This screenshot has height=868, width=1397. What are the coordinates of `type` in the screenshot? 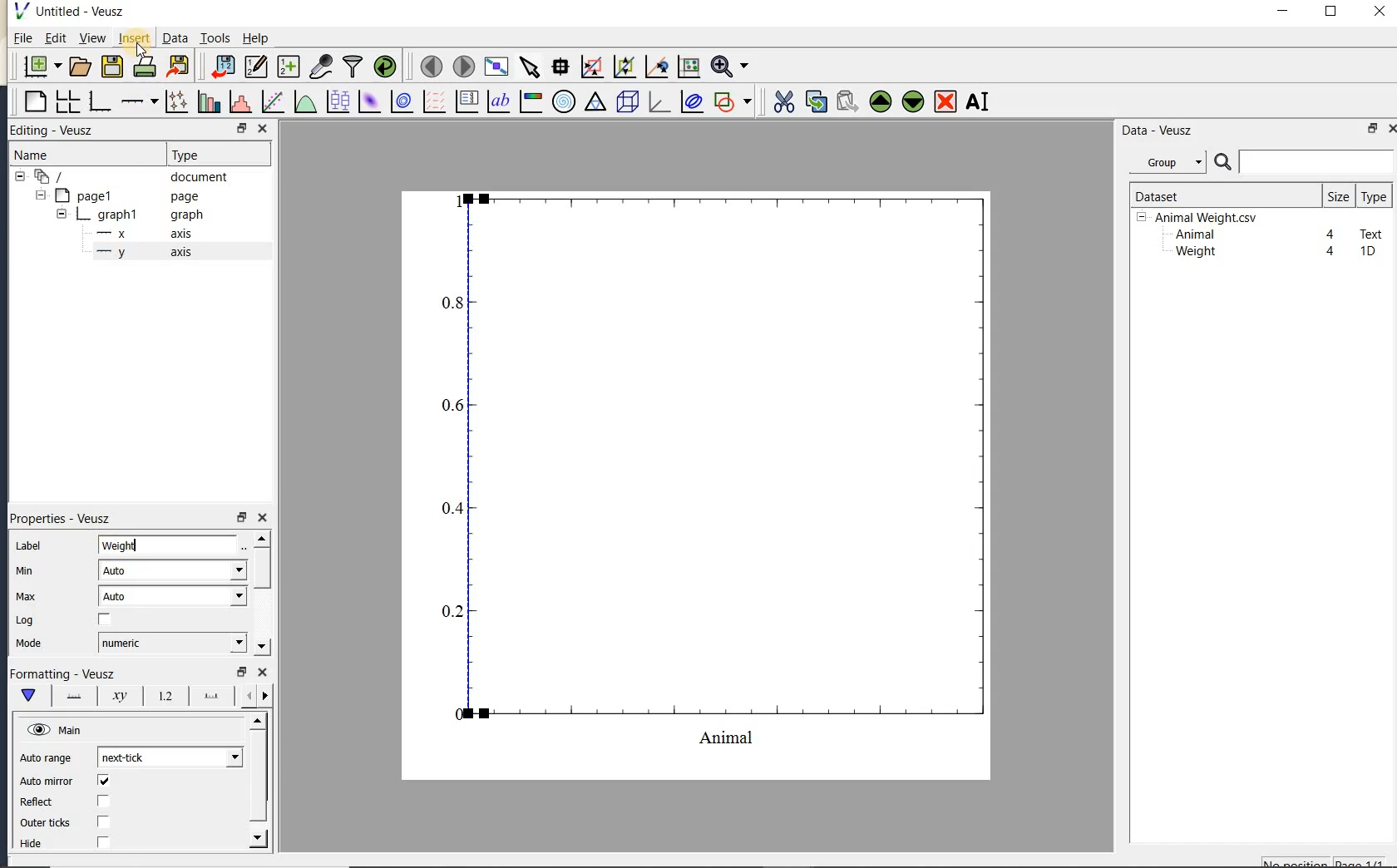 It's located at (1373, 196).